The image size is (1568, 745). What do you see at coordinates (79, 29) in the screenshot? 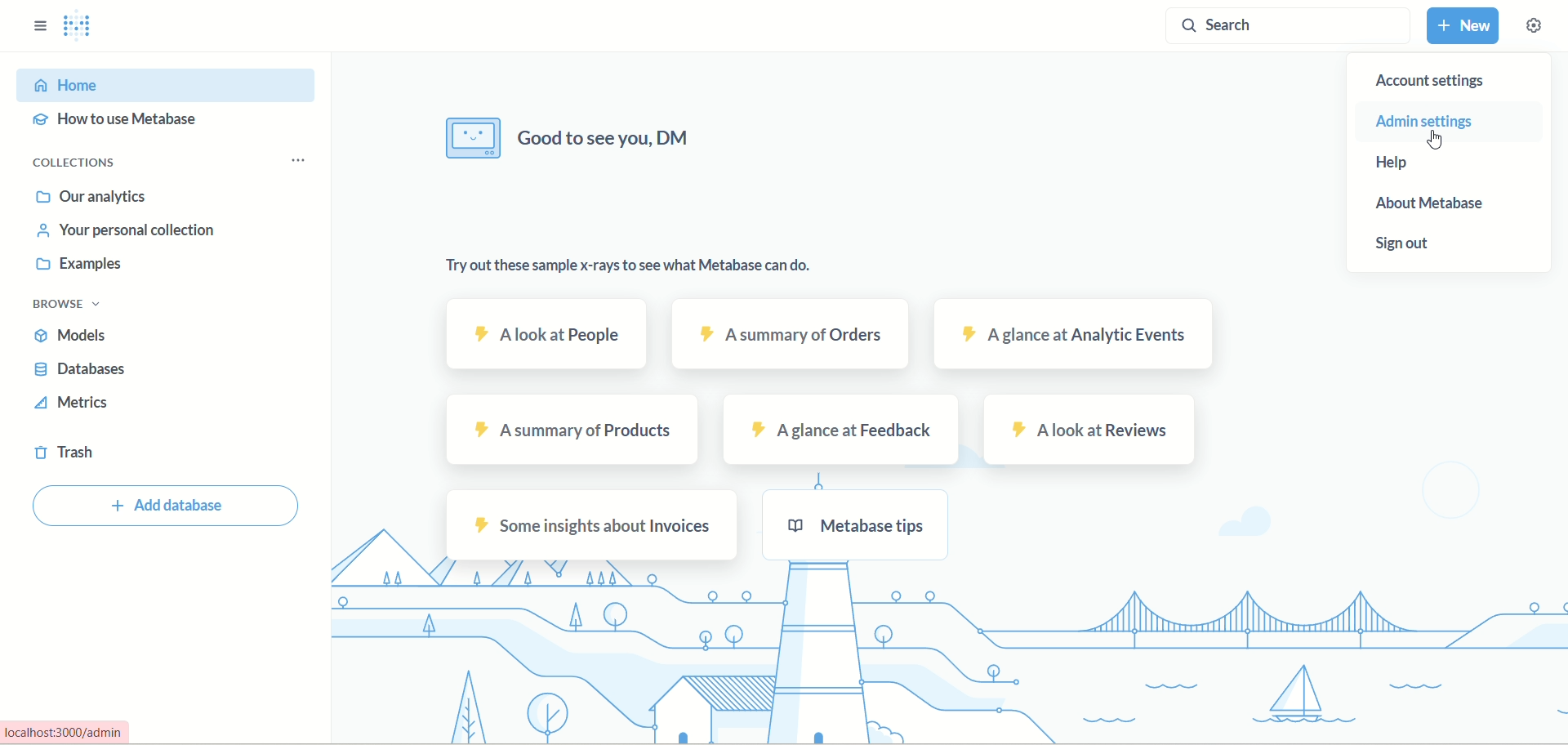
I see `logo` at bounding box center [79, 29].